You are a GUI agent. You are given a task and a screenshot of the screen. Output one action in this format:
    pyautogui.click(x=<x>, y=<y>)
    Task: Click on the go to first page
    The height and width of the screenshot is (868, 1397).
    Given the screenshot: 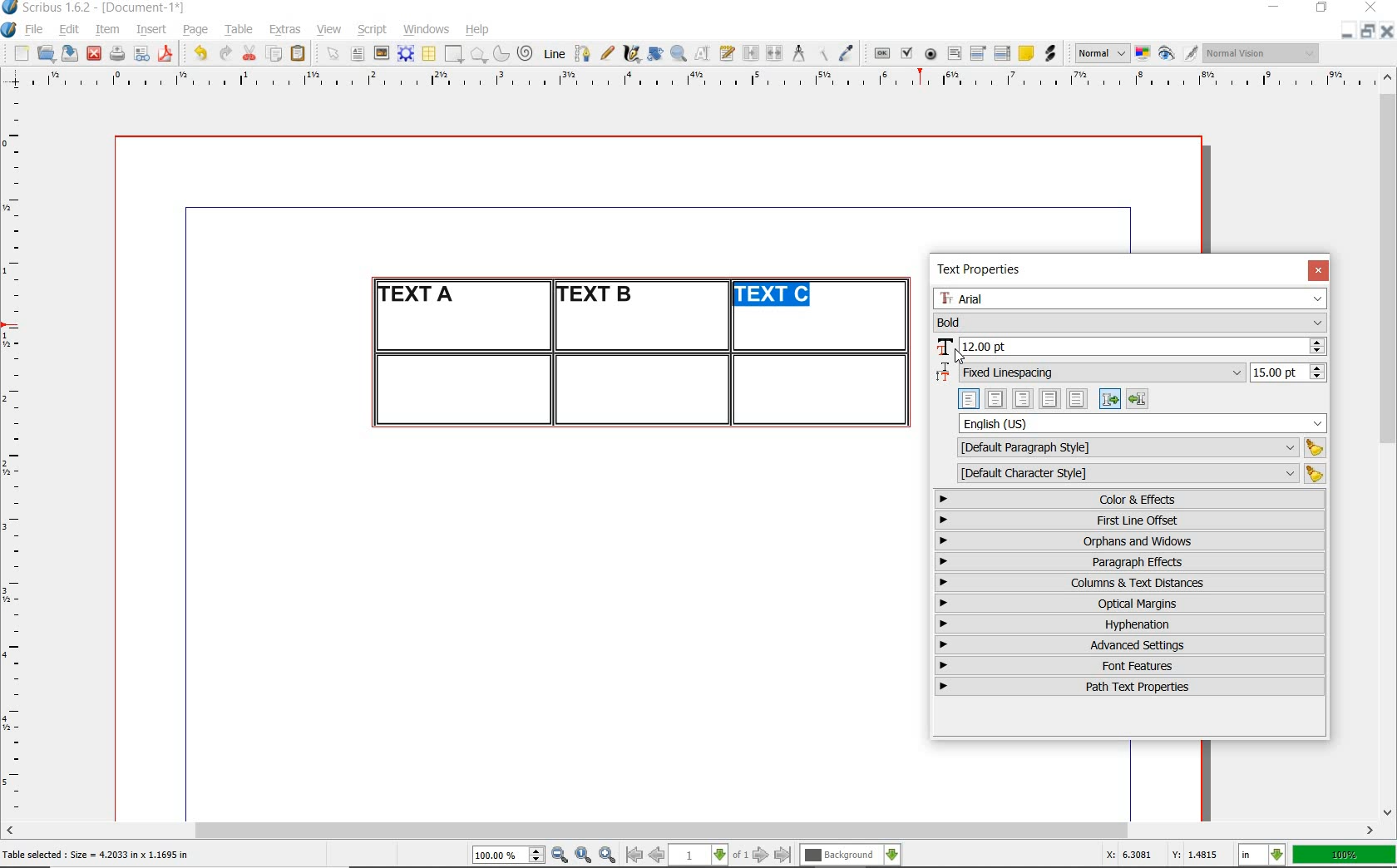 What is the action you would take?
    pyautogui.click(x=633, y=855)
    